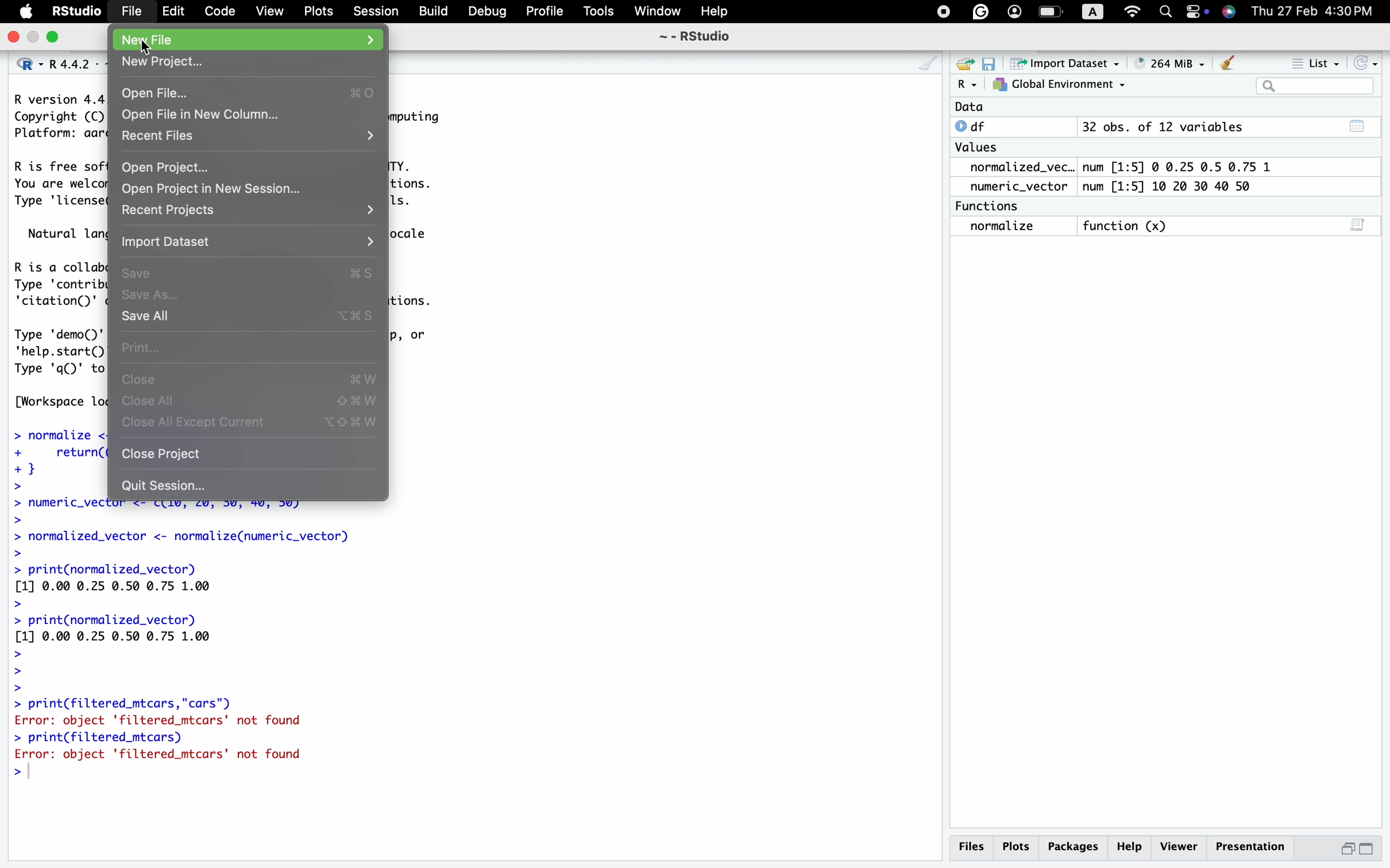 Image resolution: width=1390 pixels, height=868 pixels. I want to click on plots, so click(1016, 847).